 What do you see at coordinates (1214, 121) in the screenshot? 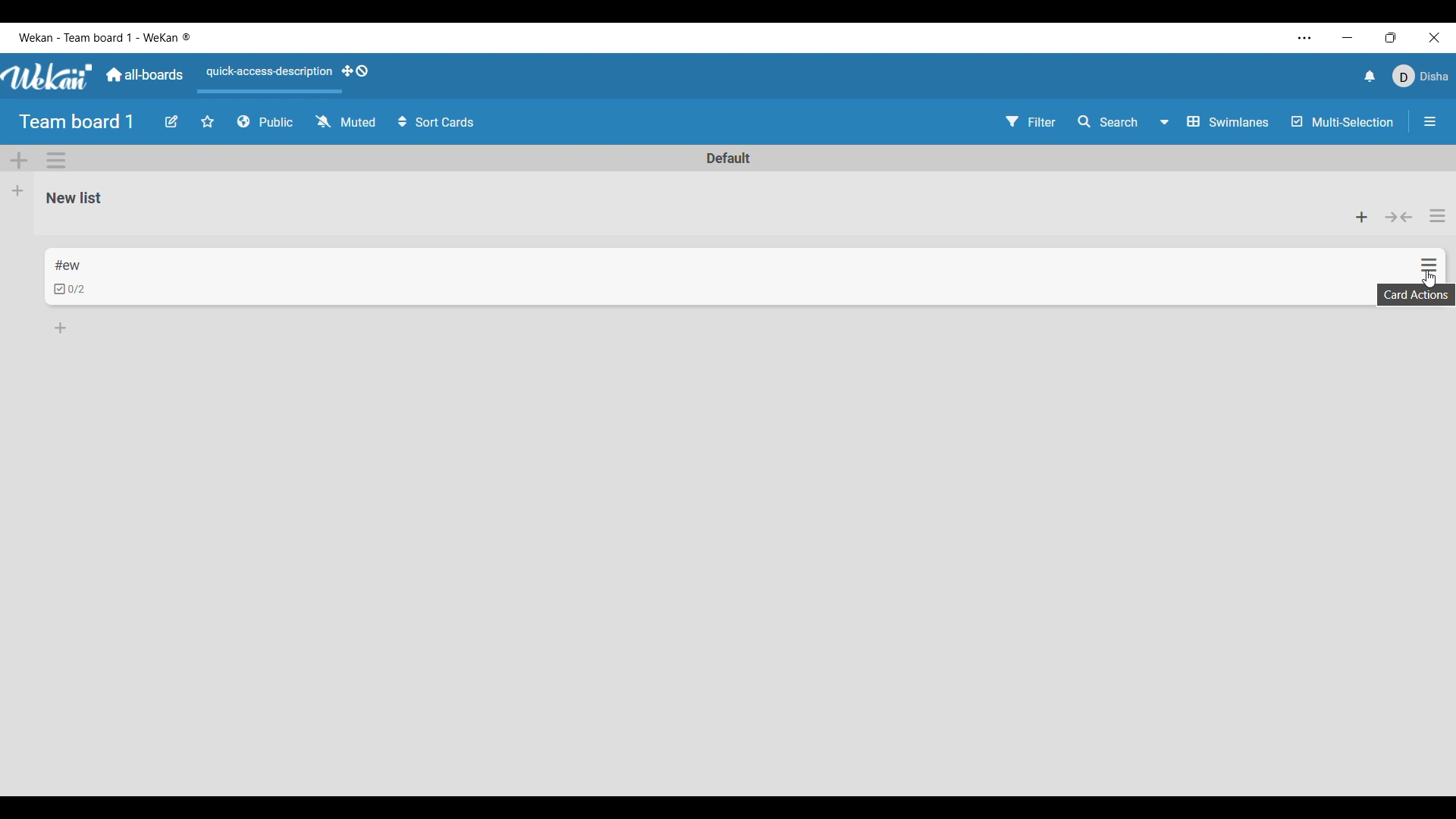
I see `Board view options` at bounding box center [1214, 121].